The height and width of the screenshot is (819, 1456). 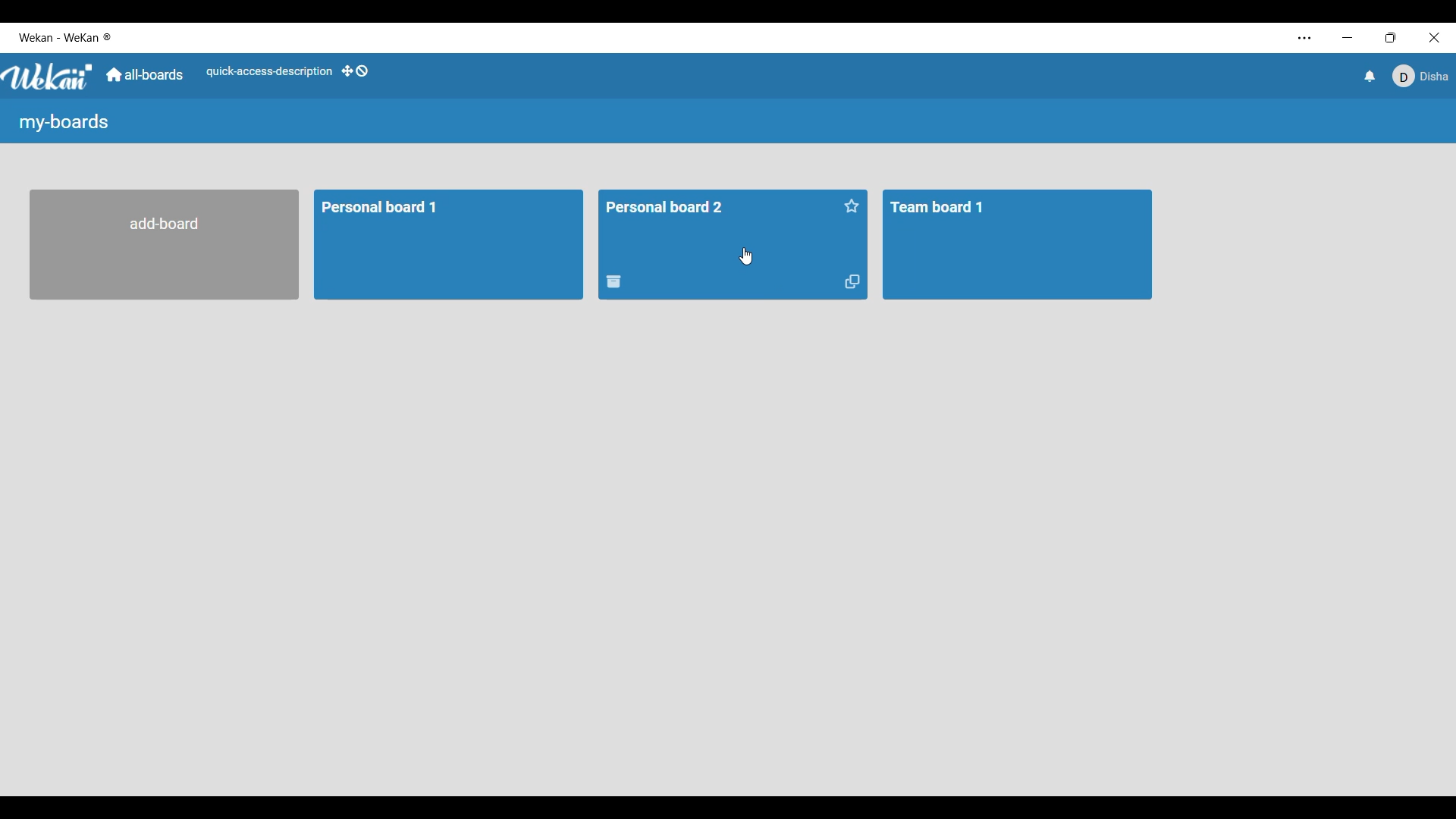 What do you see at coordinates (165, 244) in the screenshot?
I see `Add board` at bounding box center [165, 244].